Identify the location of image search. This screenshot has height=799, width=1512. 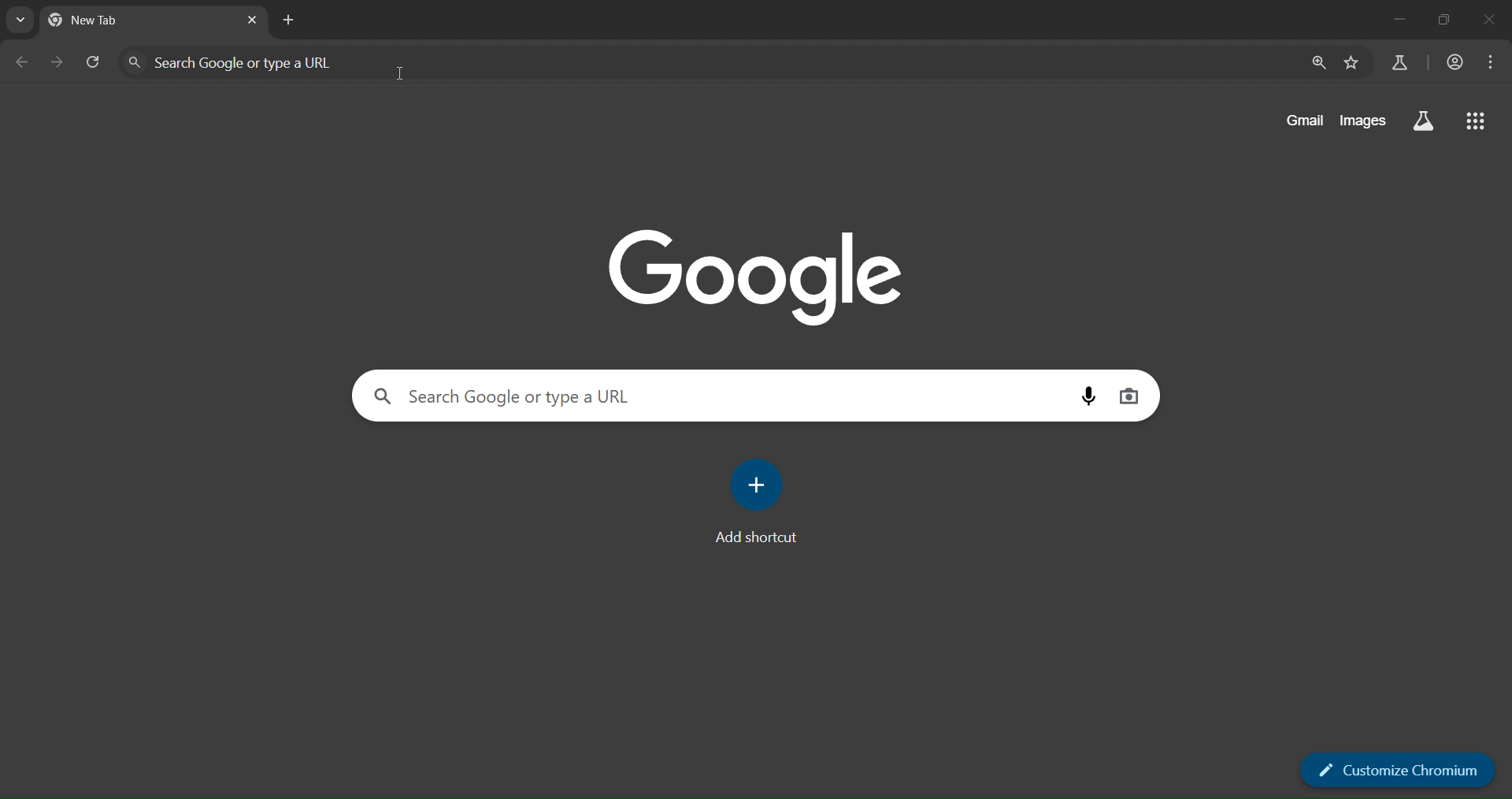
(1132, 395).